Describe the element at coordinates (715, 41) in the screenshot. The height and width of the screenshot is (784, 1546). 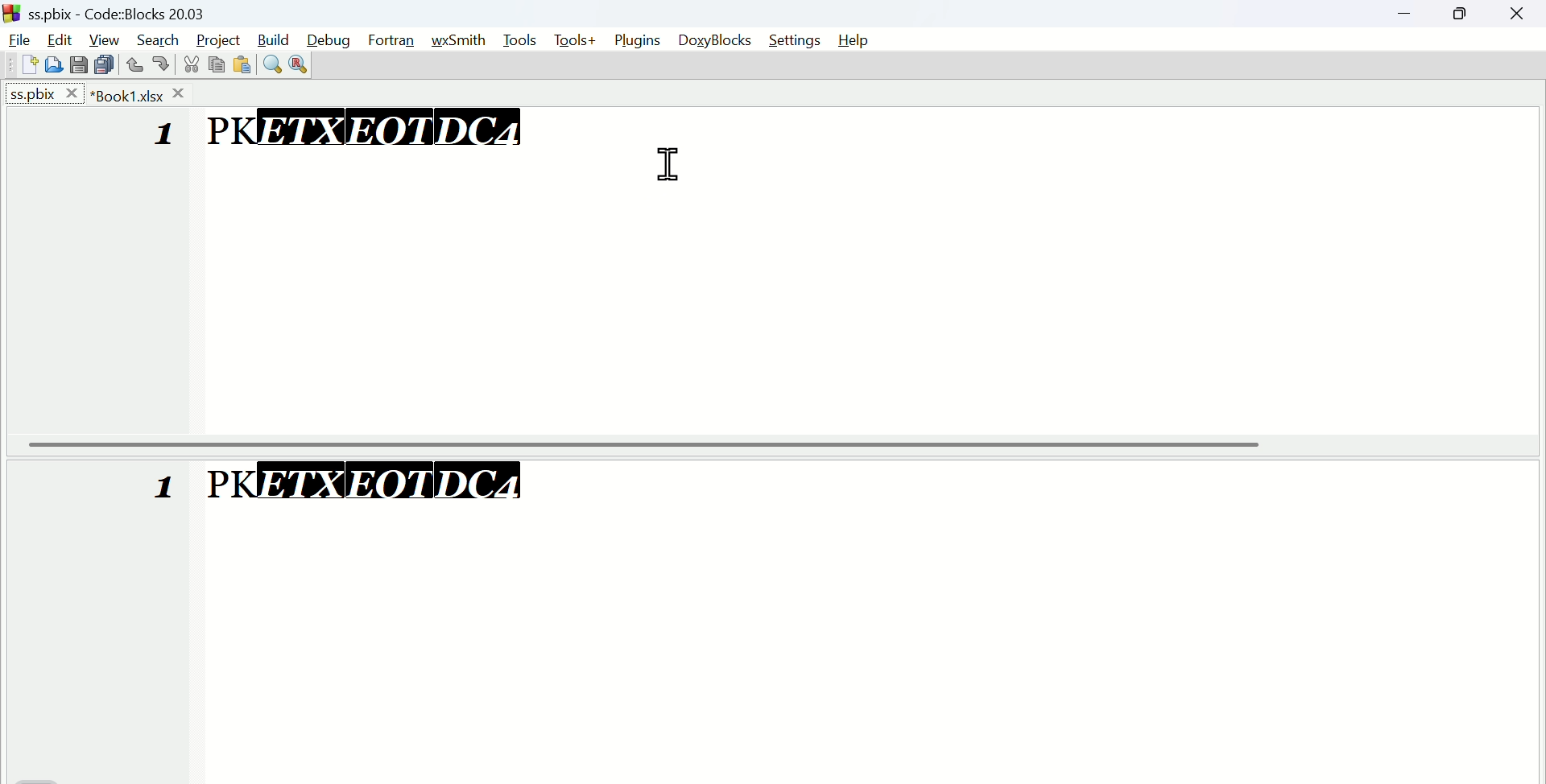
I see `Doxyblocks` at that location.